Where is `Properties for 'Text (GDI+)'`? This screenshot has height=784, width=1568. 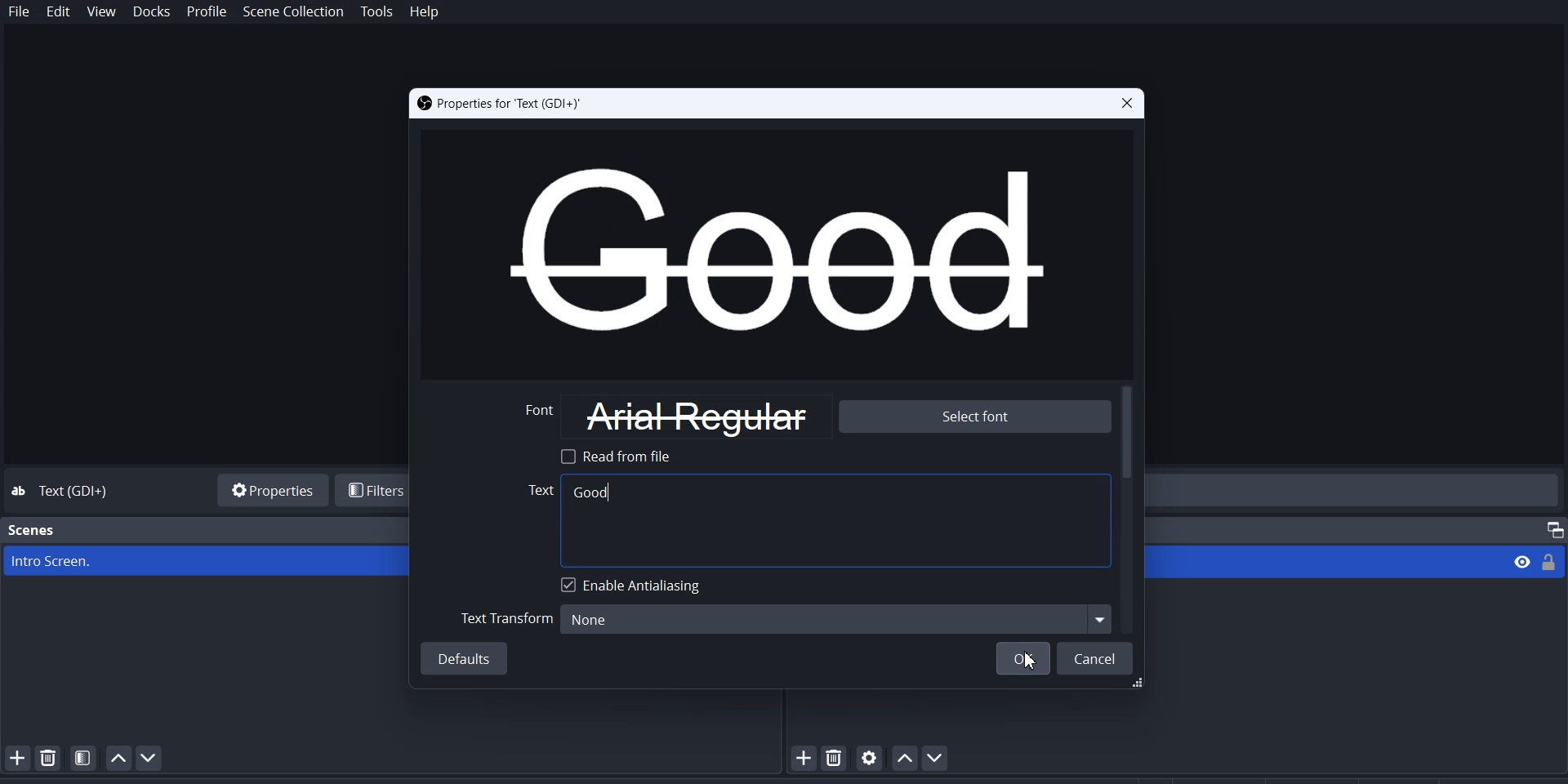 Properties for 'Text (GDI+)' is located at coordinates (500, 104).